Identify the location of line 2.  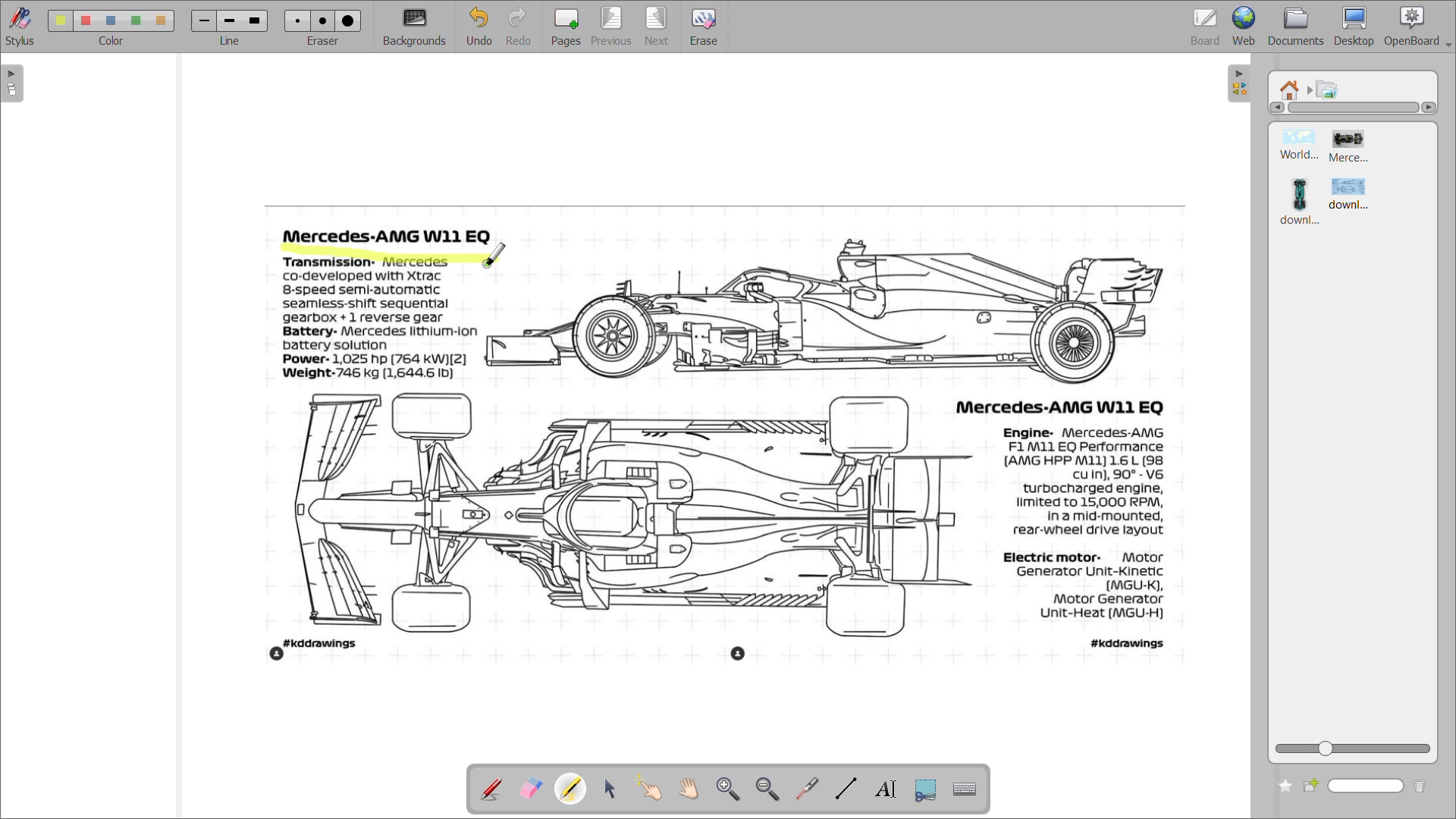
(231, 22).